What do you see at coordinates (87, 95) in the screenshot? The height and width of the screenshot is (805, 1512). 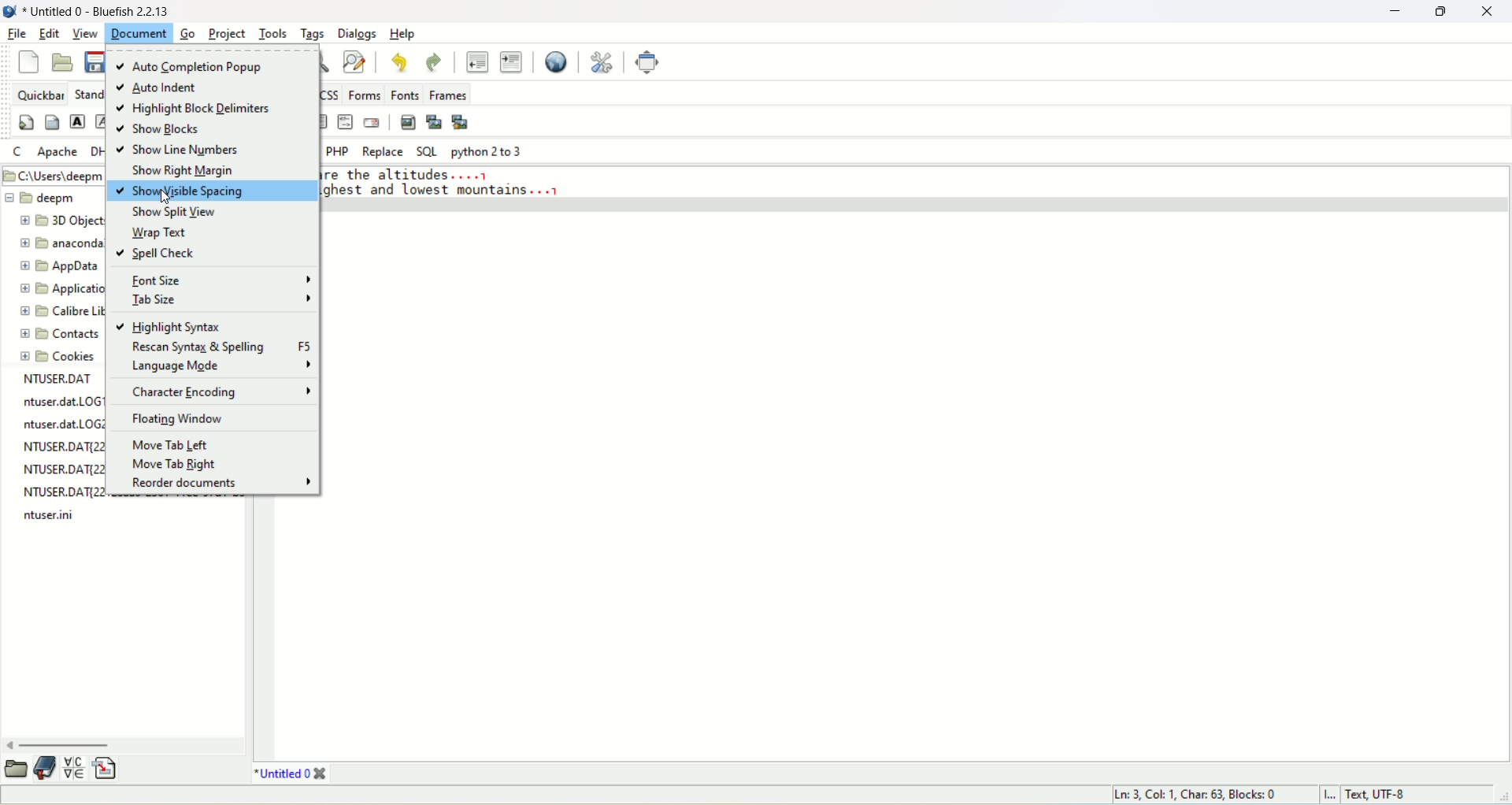 I see `Standard` at bounding box center [87, 95].